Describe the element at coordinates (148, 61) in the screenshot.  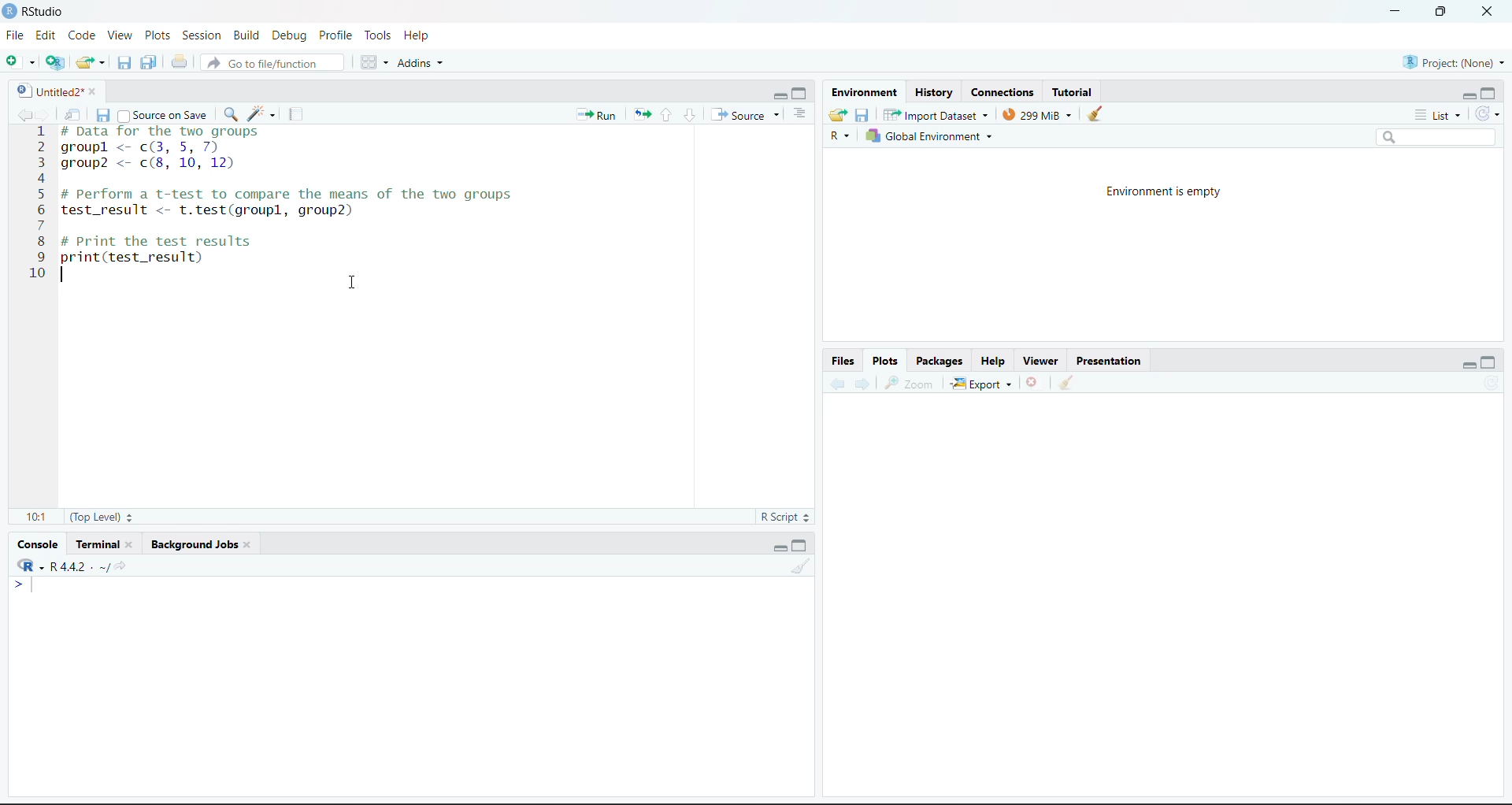
I see `save all open documents` at that location.